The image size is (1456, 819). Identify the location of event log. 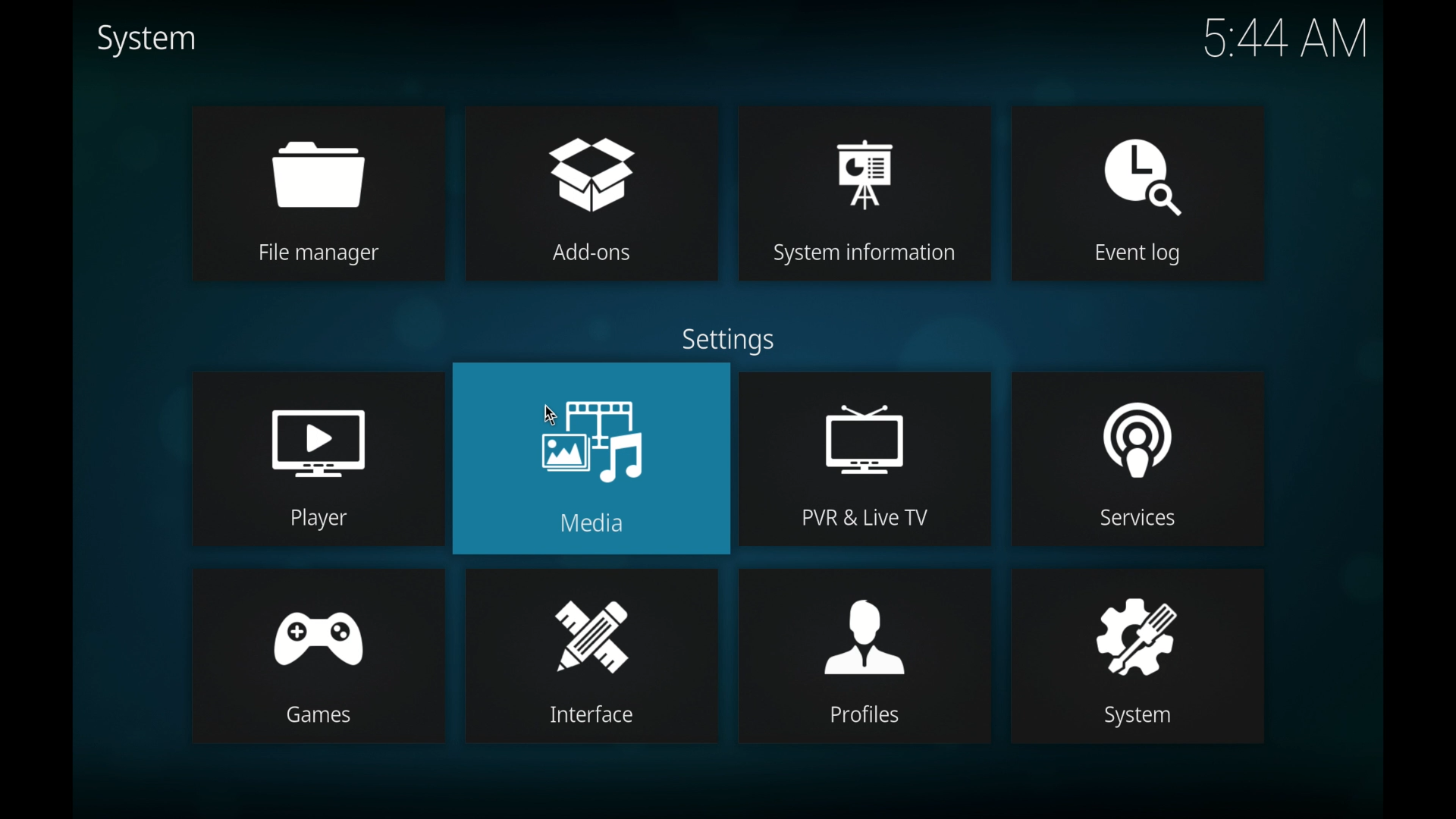
(1138, 193).